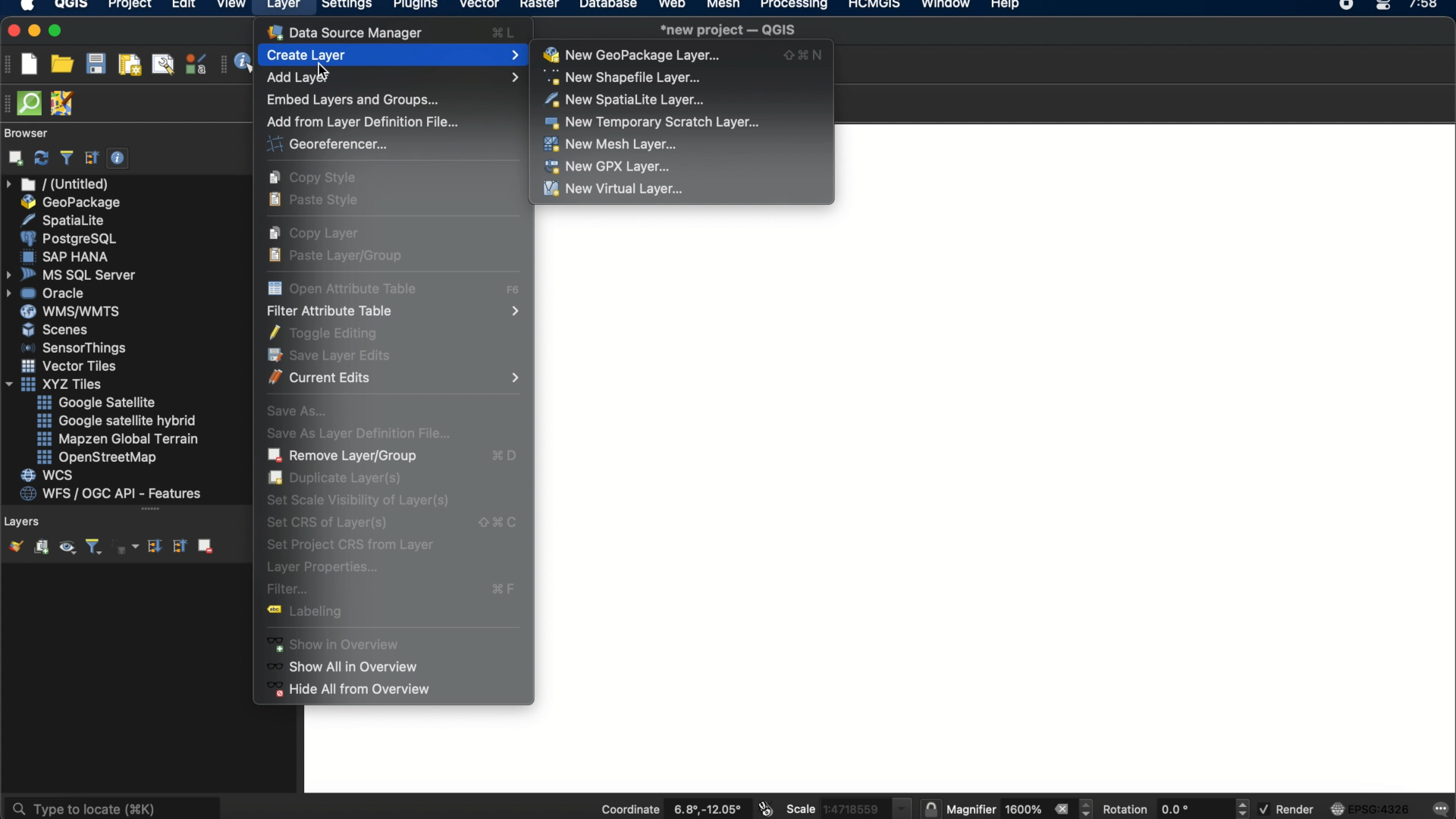  I want to click on add group, so click(41, 548).